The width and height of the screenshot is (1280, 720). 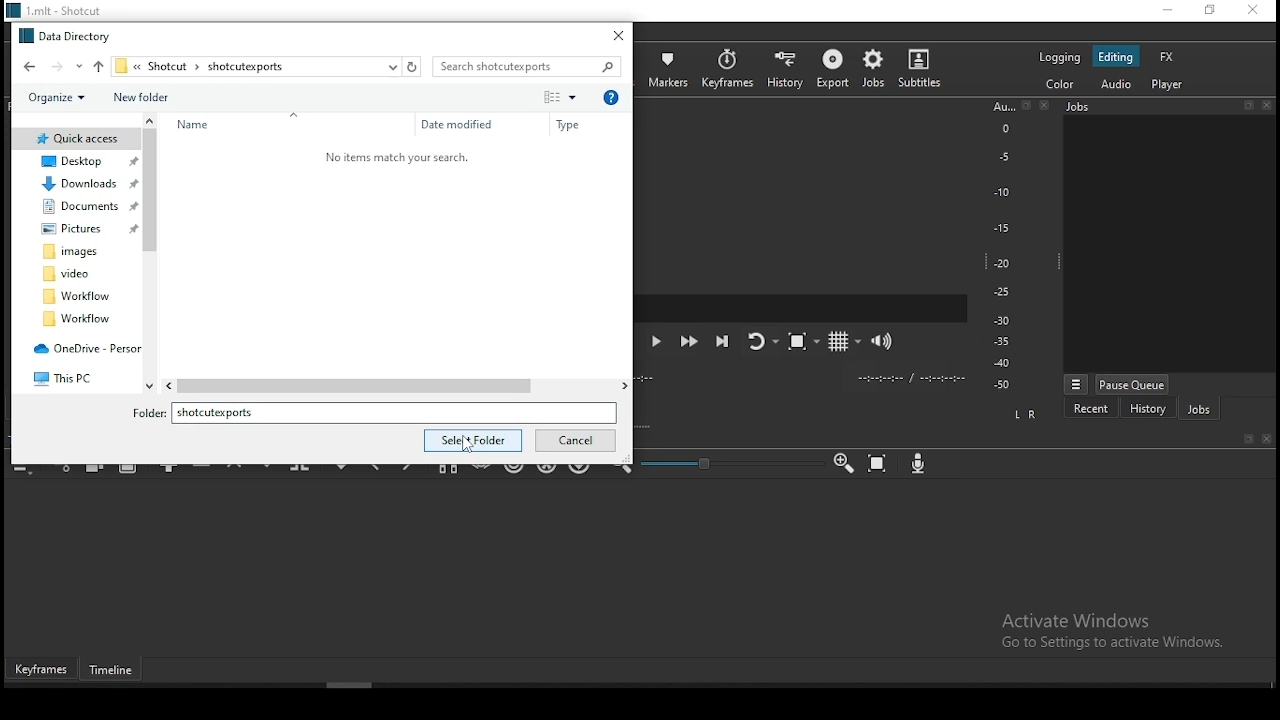 I want to click on Bookmark, so click(x=1247, y=104).